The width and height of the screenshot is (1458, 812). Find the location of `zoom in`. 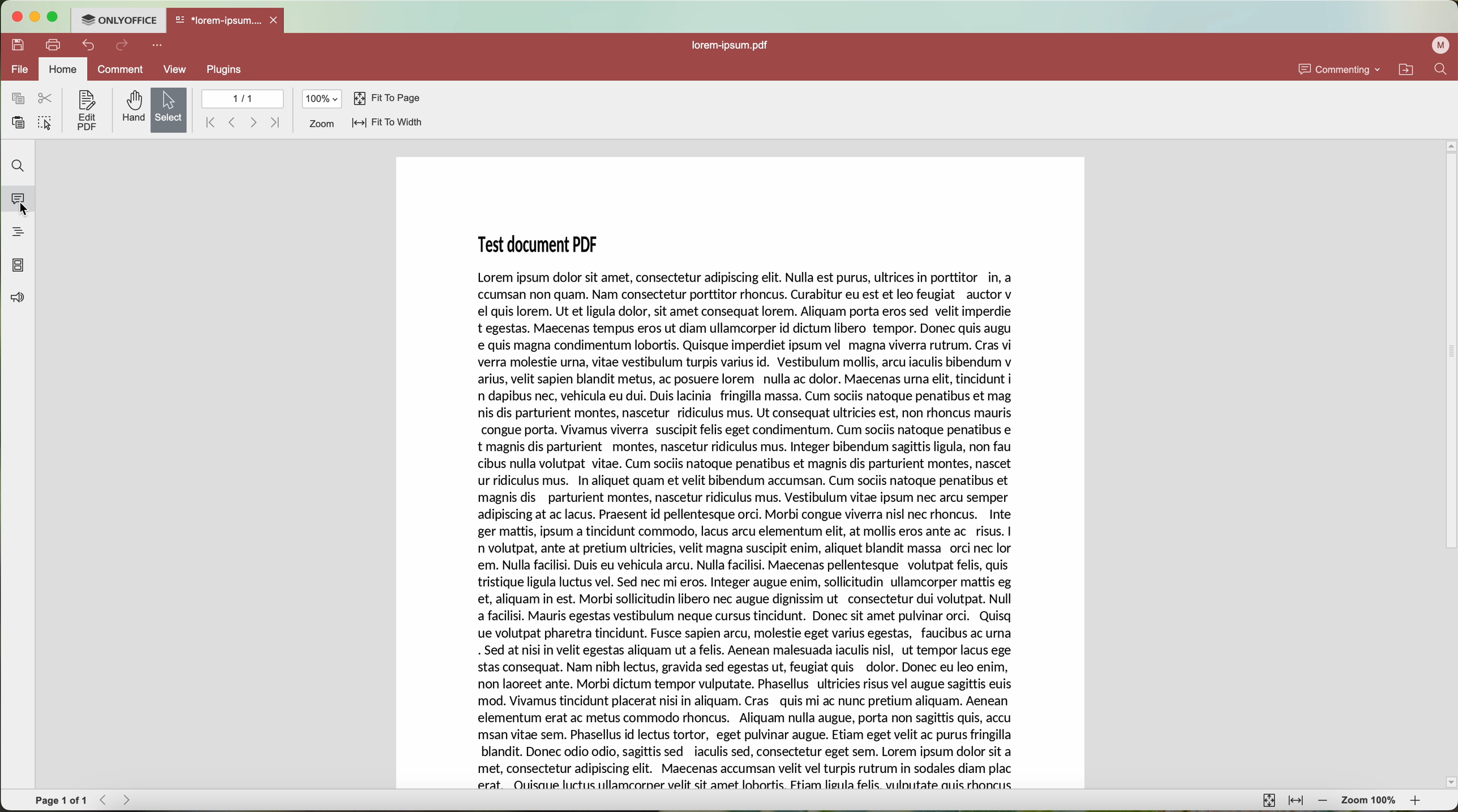

zoom in is located at coordinates (1419, 802).